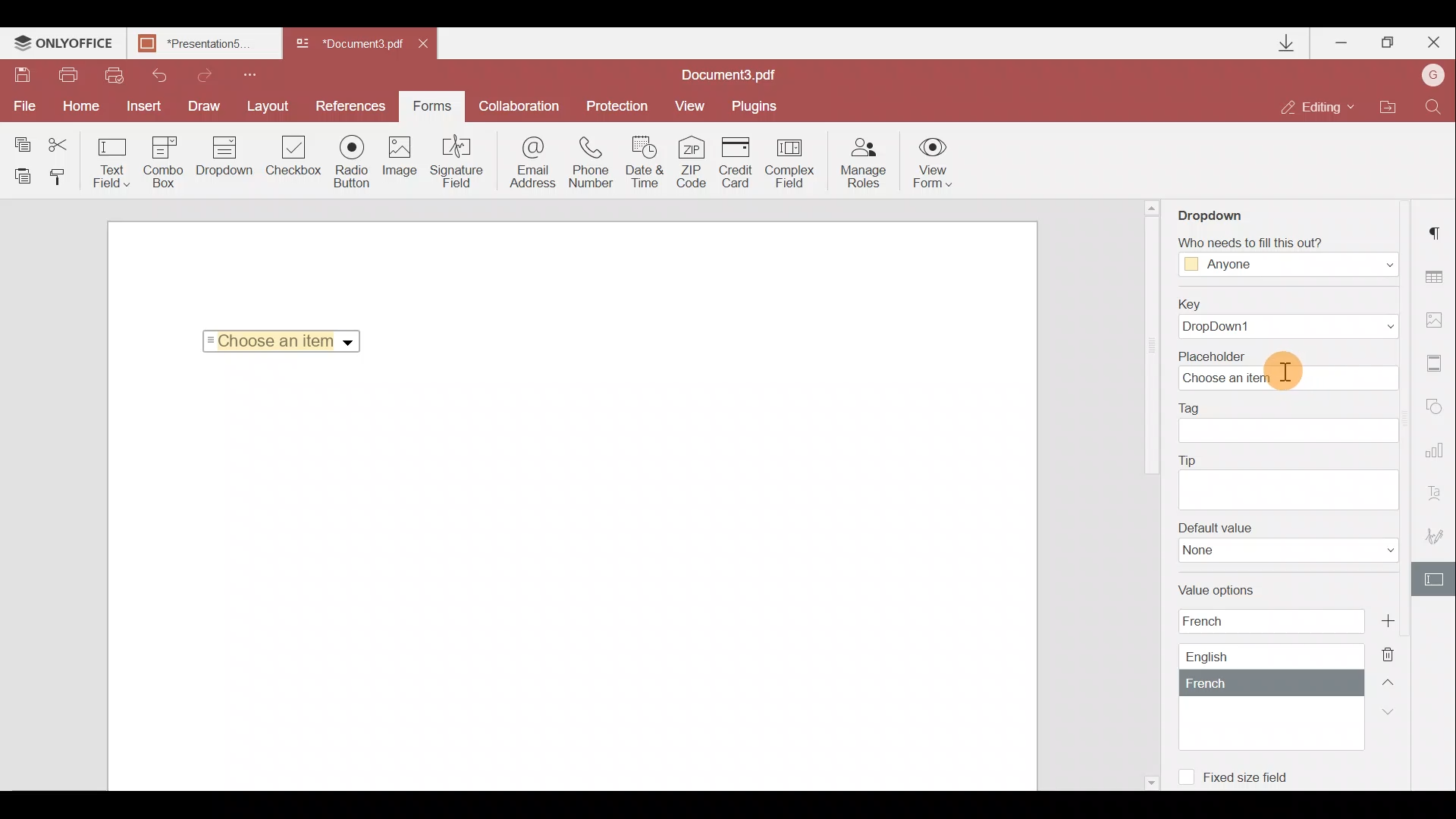  What do you see at coordinates (401, 163) in the screenshot?
I see `Image` at bounding box center [401, 163].